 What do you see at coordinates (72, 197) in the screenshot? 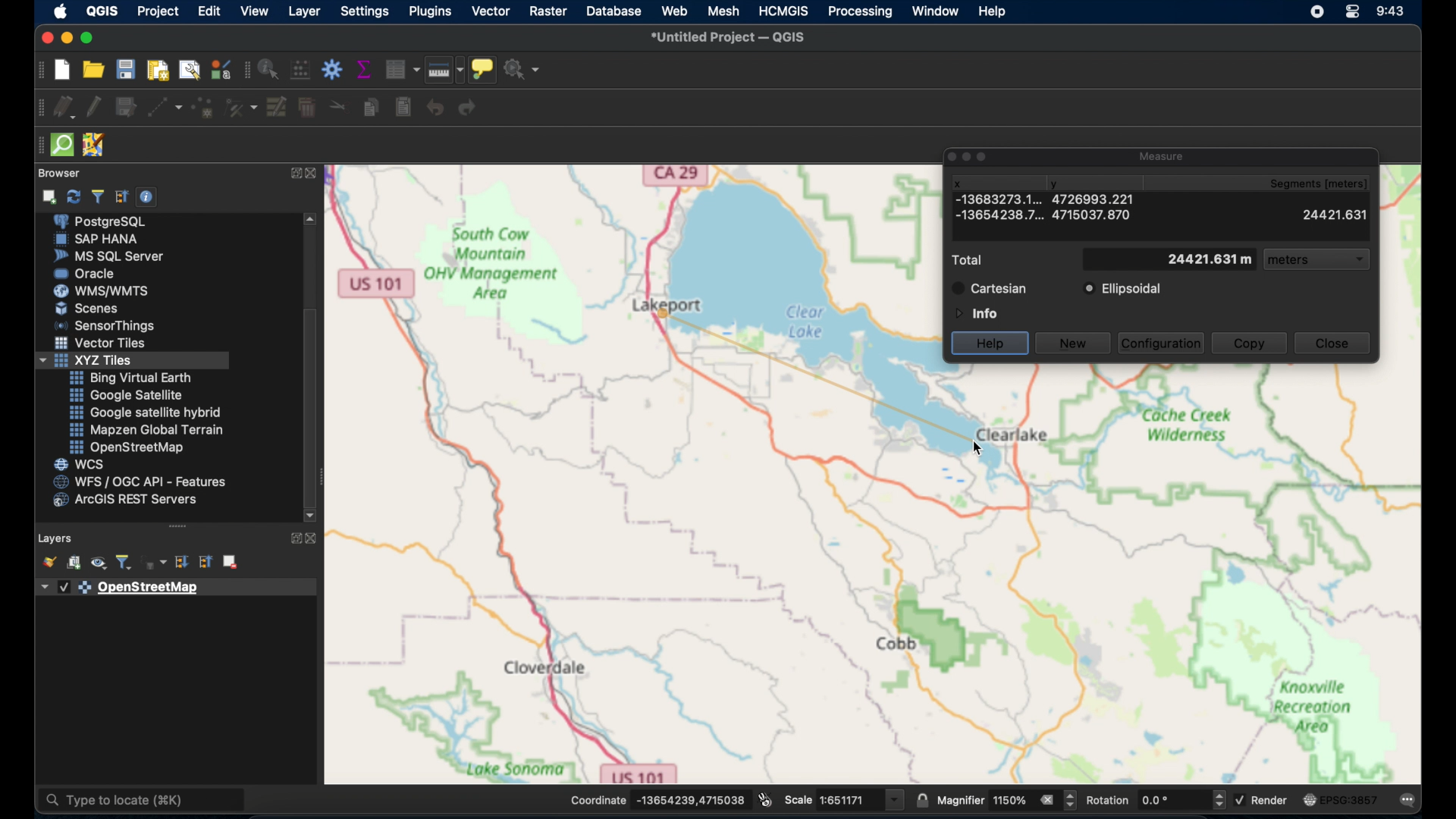
I see `refresh` at bounding box center [72, 197].